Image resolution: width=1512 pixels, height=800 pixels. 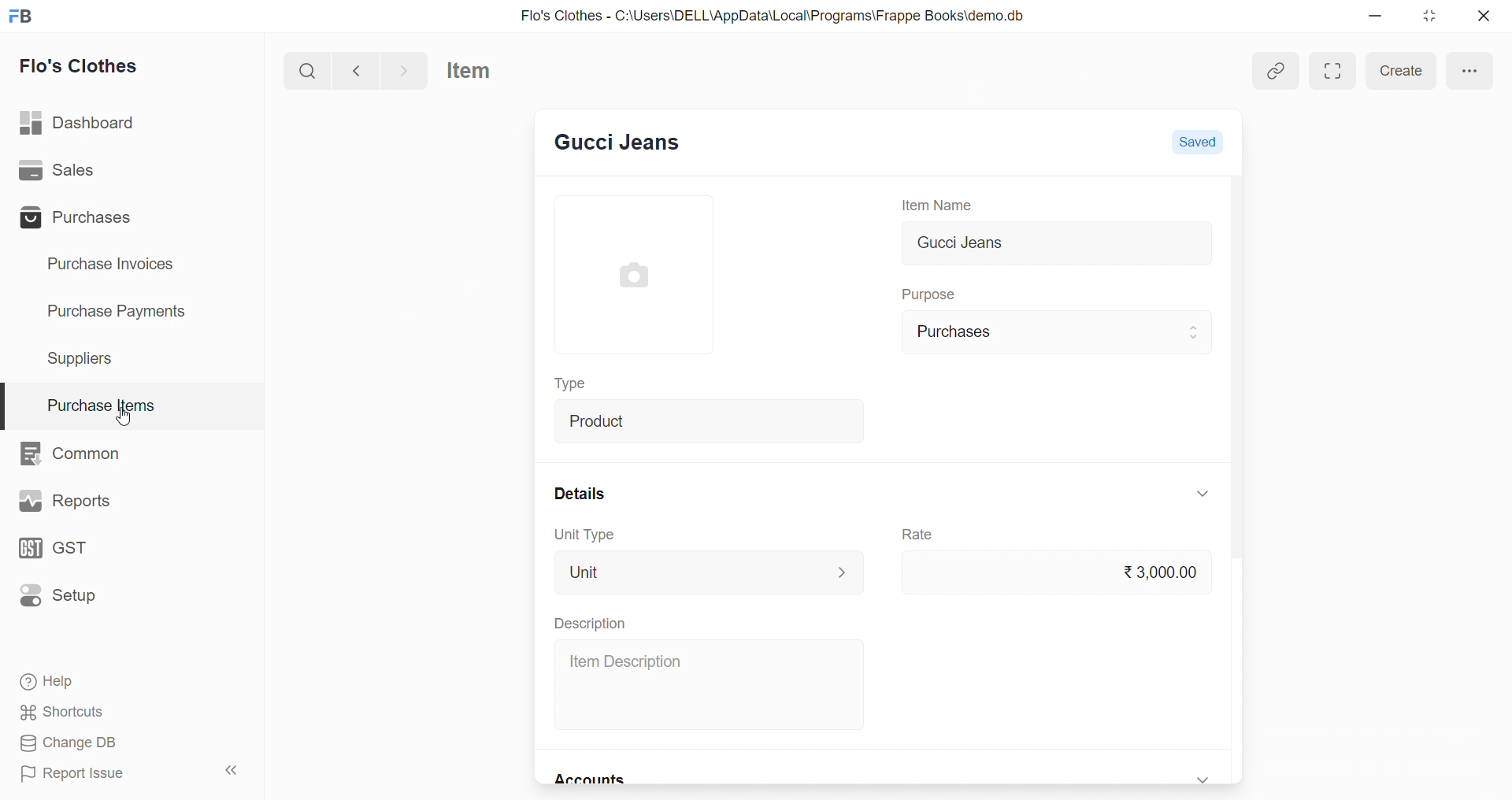 What do you see at coordinates (1205, 777) in the screenshot?
I see `expand/collapse` at bounding box center [1205, 777].